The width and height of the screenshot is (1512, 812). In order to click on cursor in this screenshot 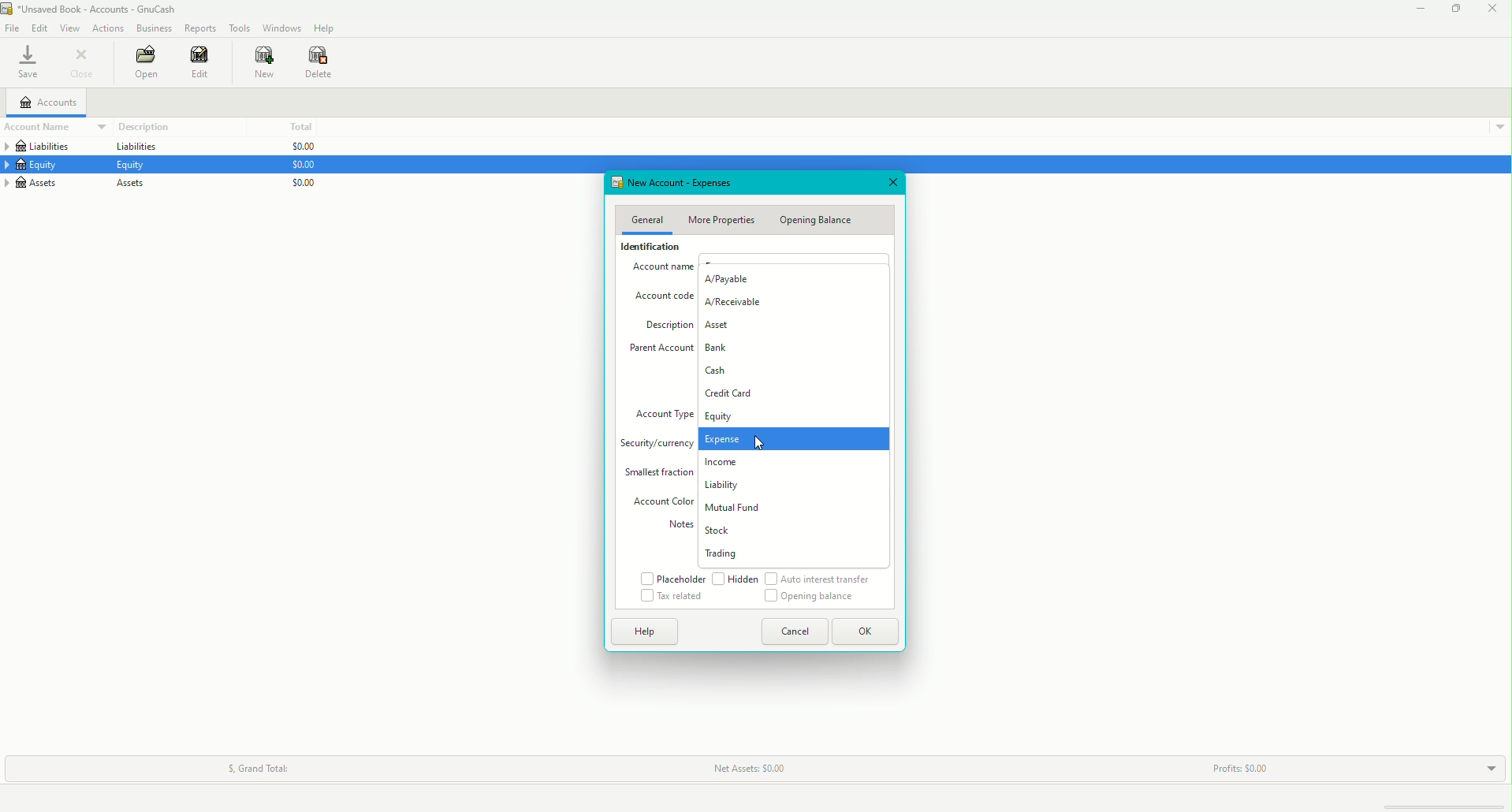, I will do `click(759, 444)`.